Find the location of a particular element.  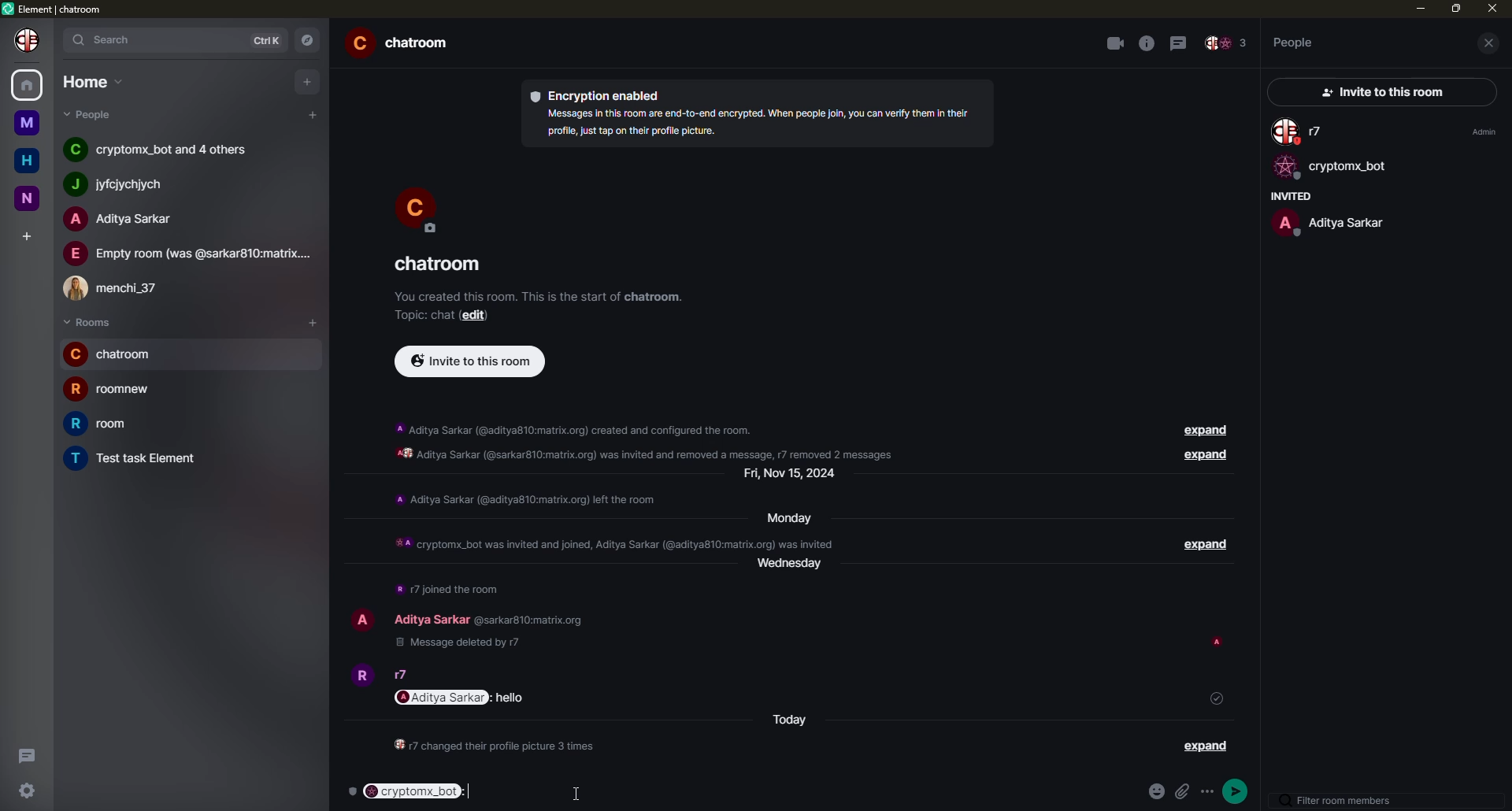

room is located at coordinates (437, 265).